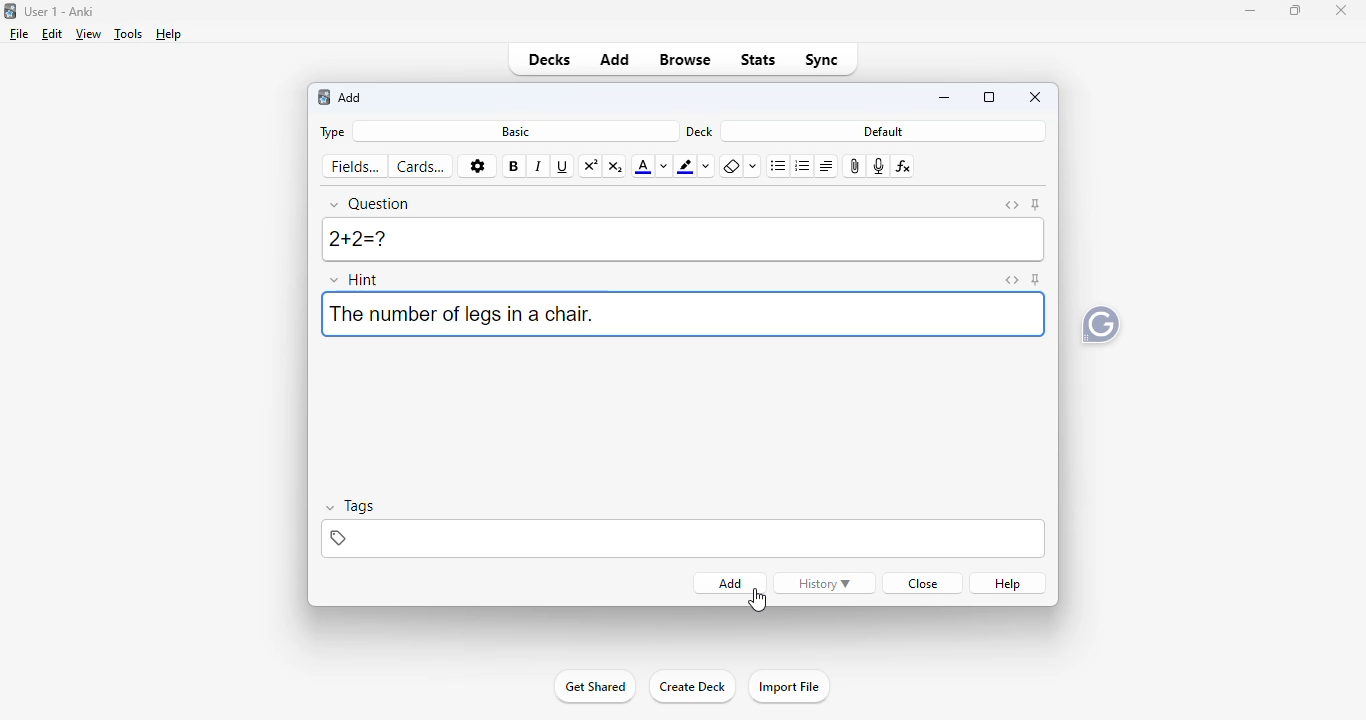 Image resolution: width=1366 pixels, height=720 pixels. I want to click on basic, so click(516, 132).